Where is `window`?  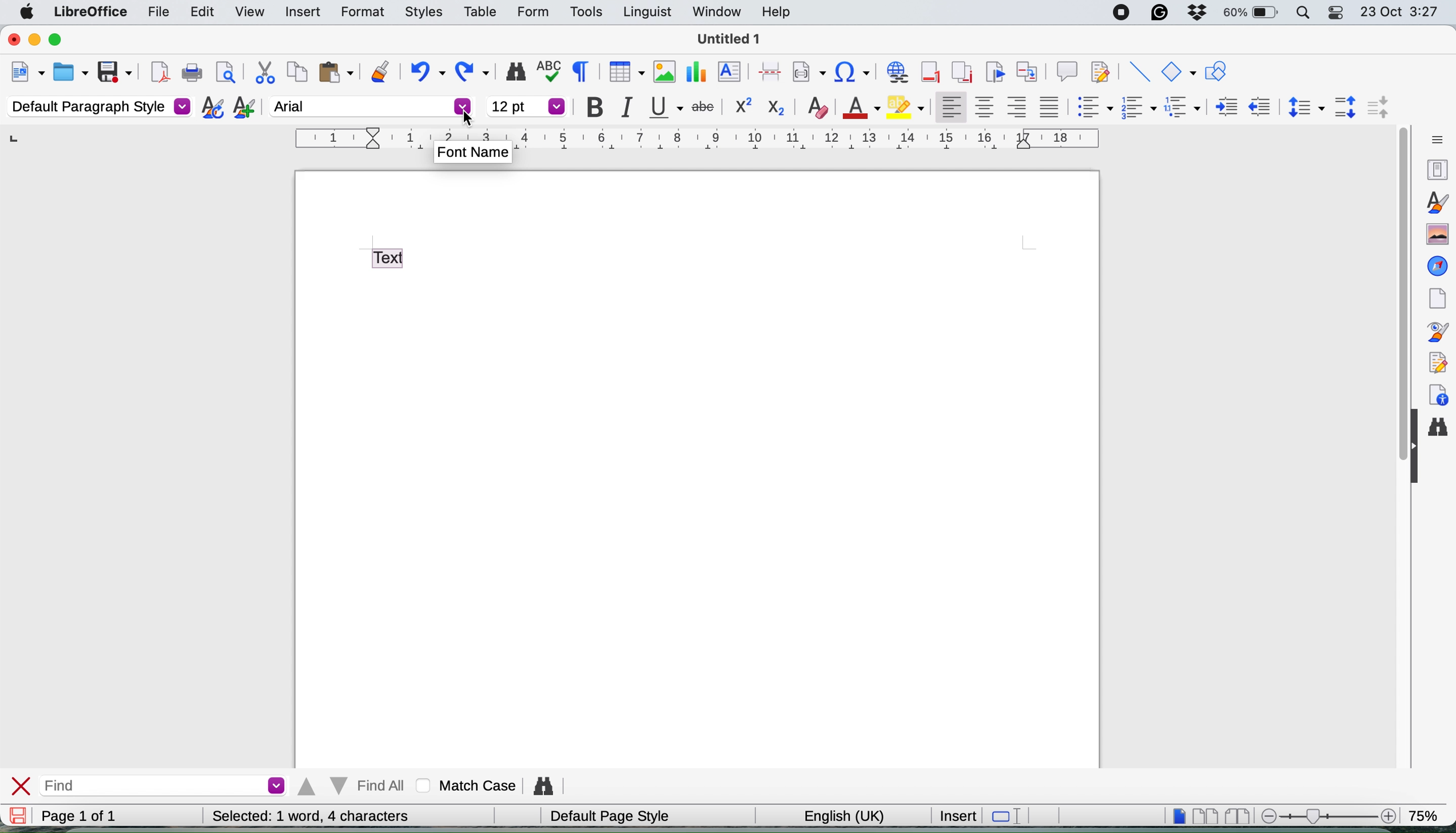
window is located at coordinates (714, 14).